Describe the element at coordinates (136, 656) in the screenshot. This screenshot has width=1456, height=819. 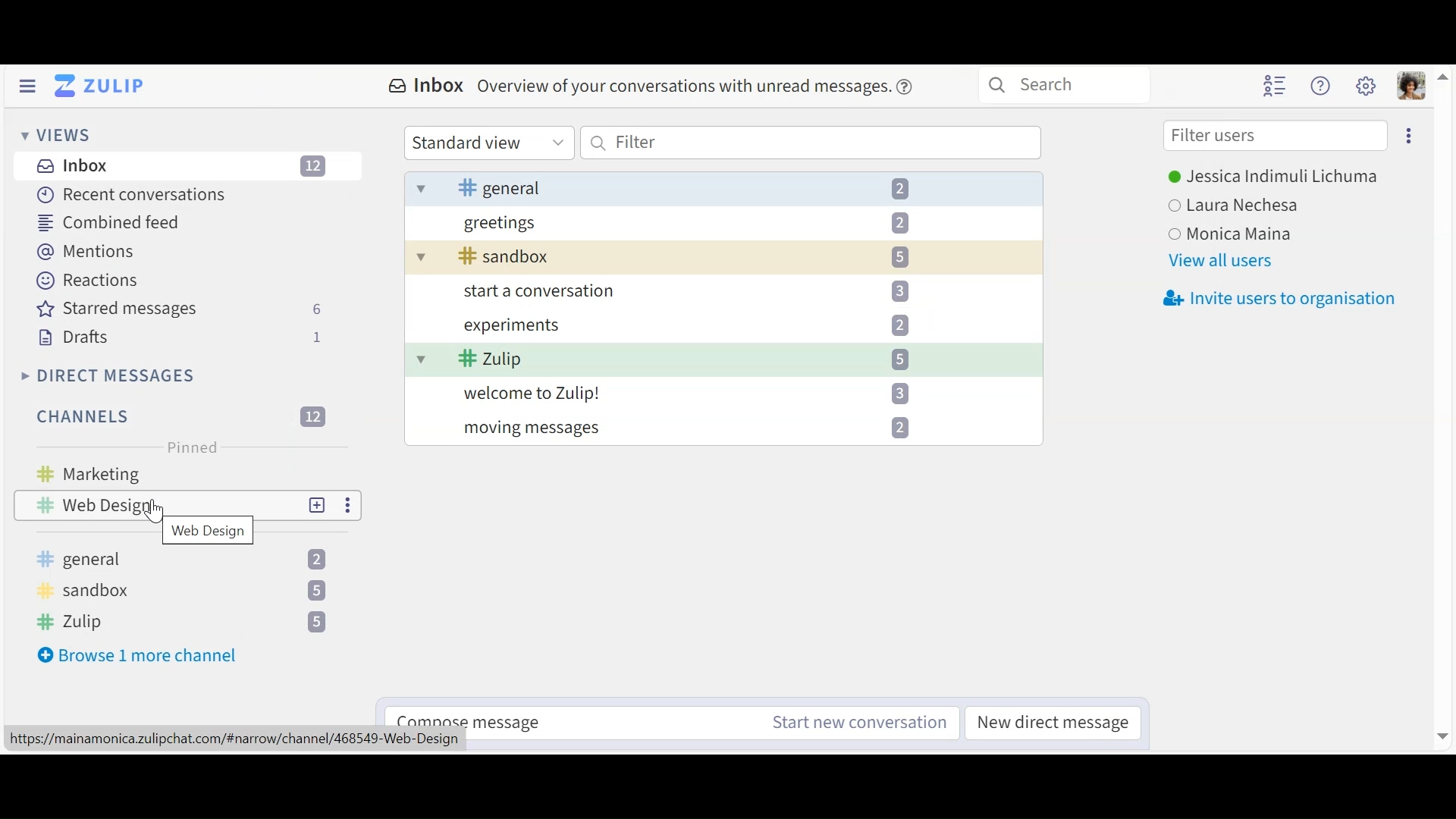
I see `Browse more channel` at that location.